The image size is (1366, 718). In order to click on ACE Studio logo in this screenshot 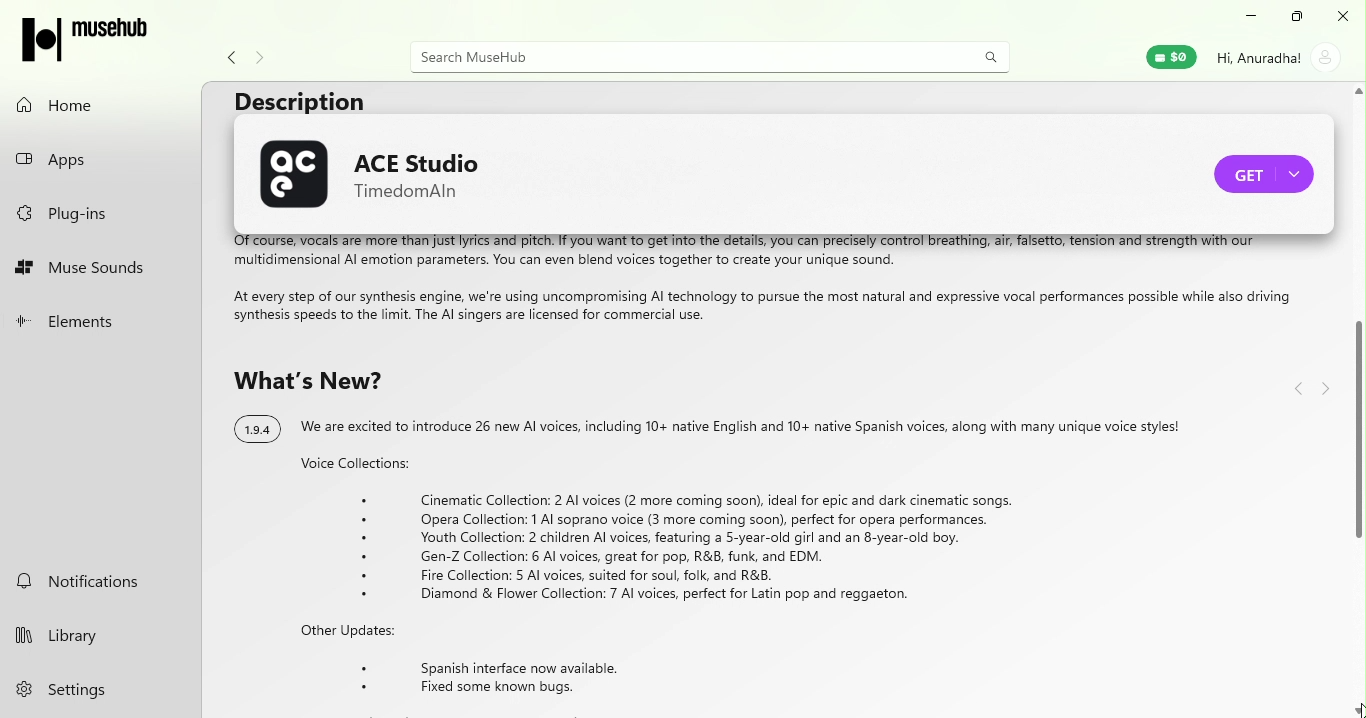, I will do `click(297, 174)`.